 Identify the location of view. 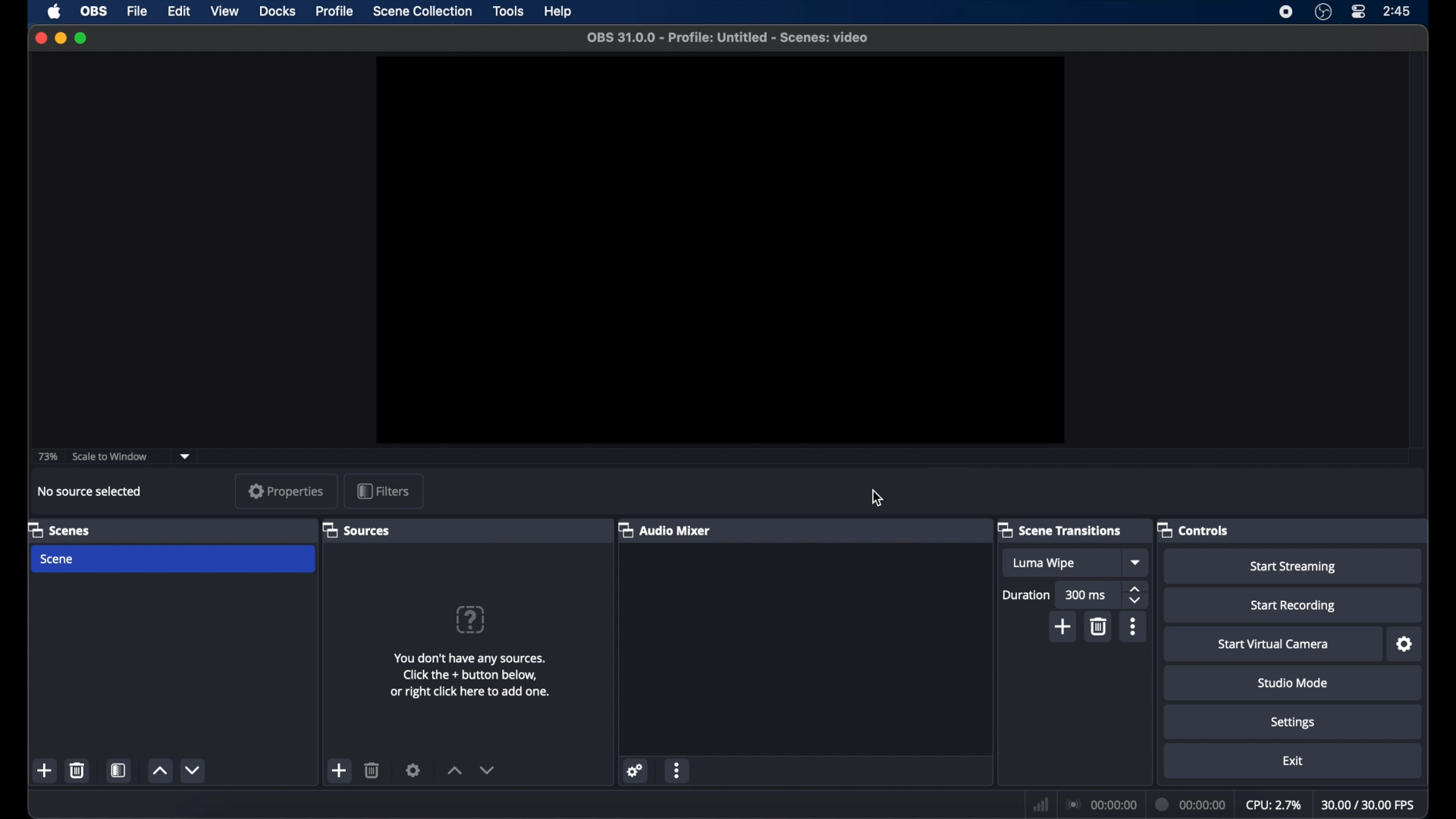
(224, 12).